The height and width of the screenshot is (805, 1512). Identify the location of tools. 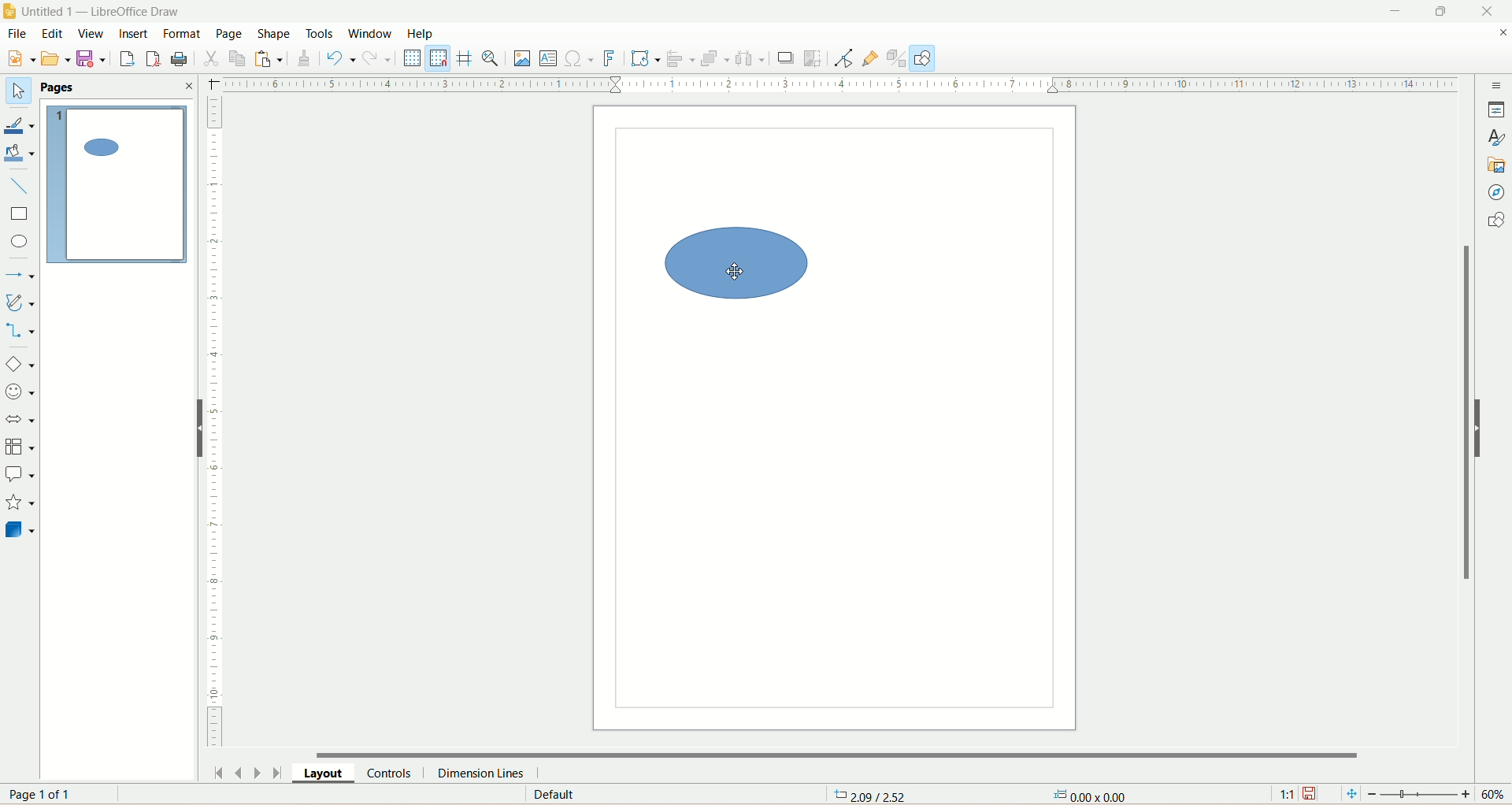
(320, 35).